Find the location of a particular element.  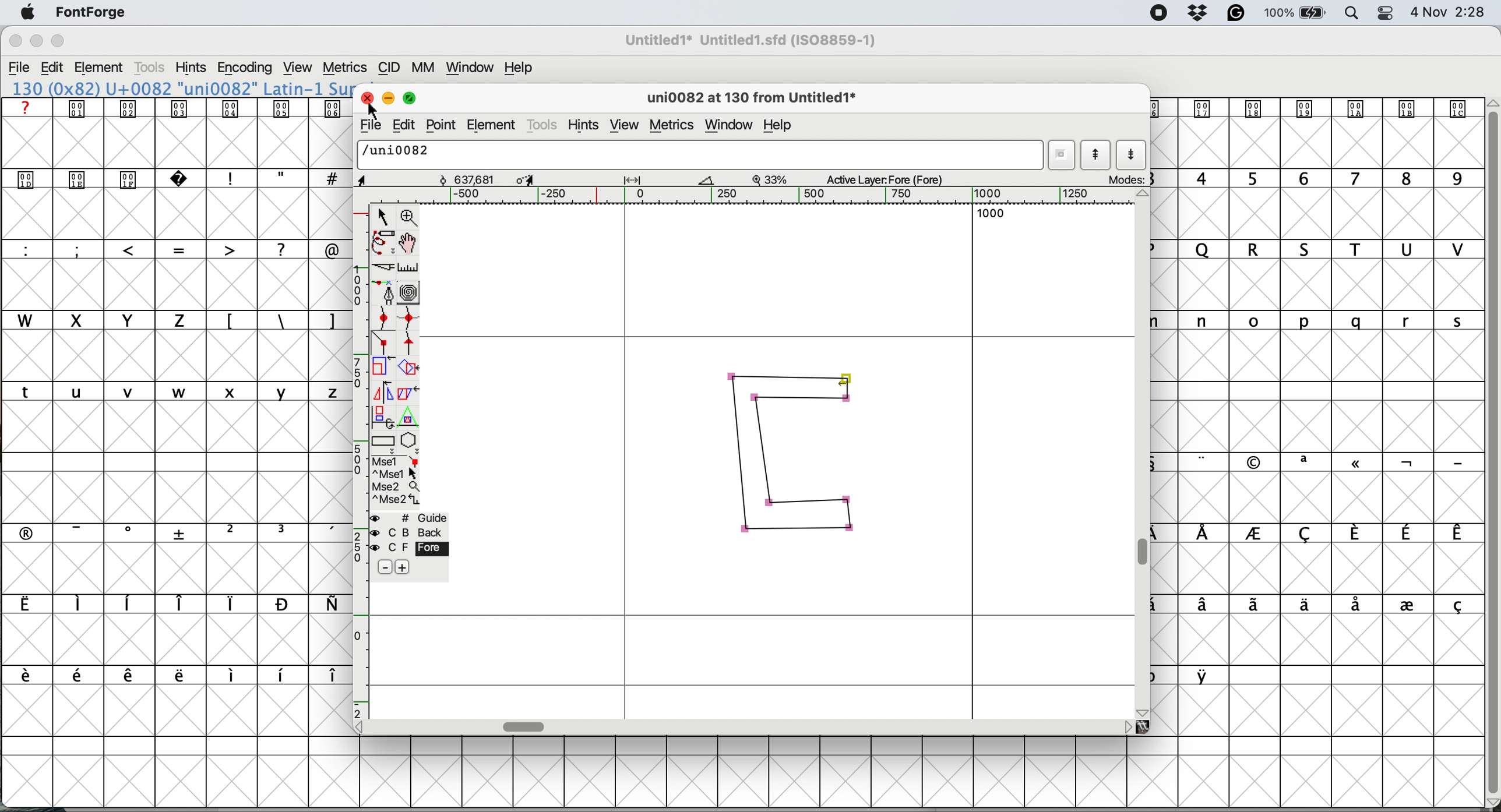

special characters is located at coordinates (177, 249).